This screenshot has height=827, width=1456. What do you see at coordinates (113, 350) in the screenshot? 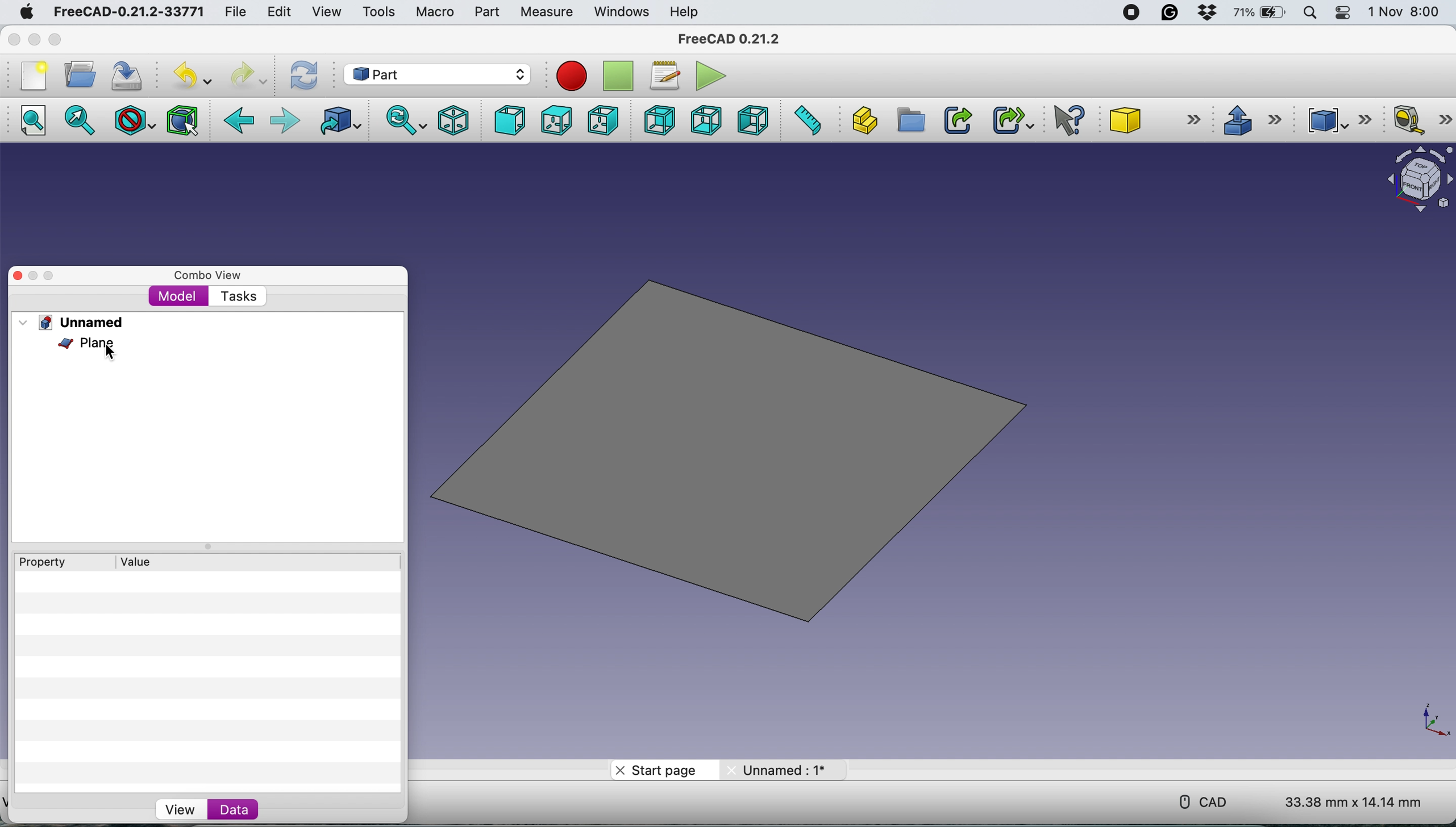
I see `cursor` at bounding box center [113, 350].